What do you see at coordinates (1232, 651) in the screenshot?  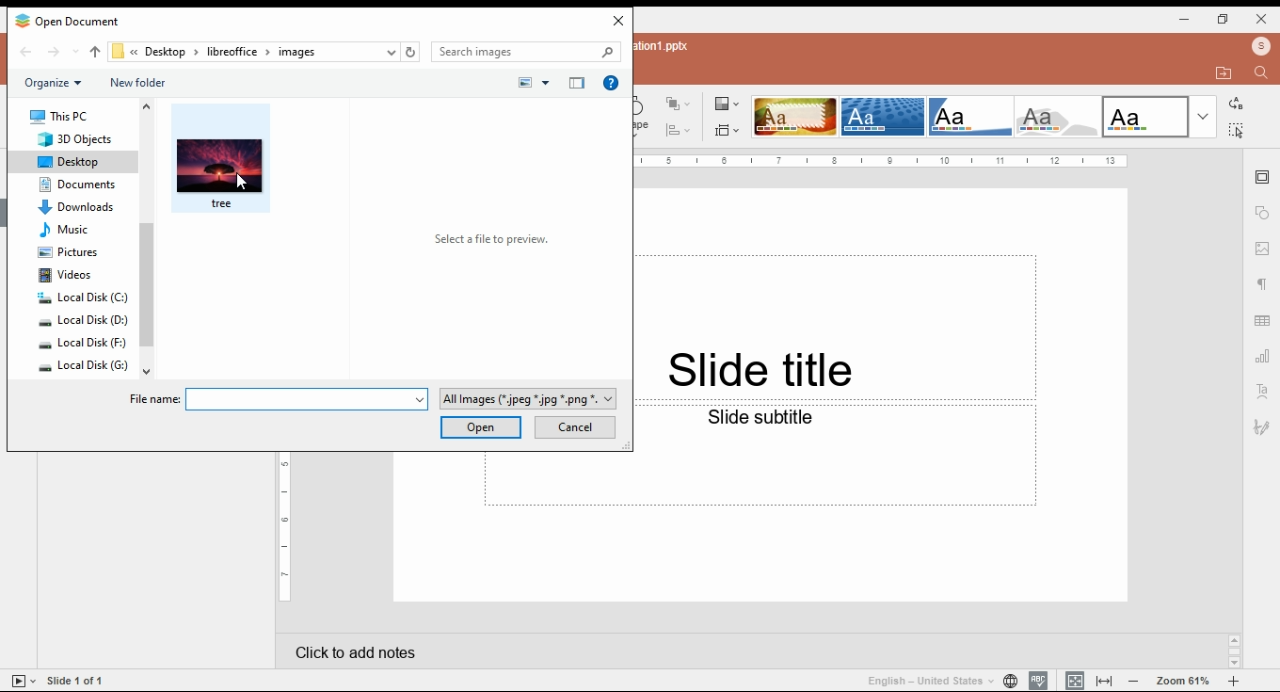 I see `Scrollbar` at bounding box center [1232, 651].